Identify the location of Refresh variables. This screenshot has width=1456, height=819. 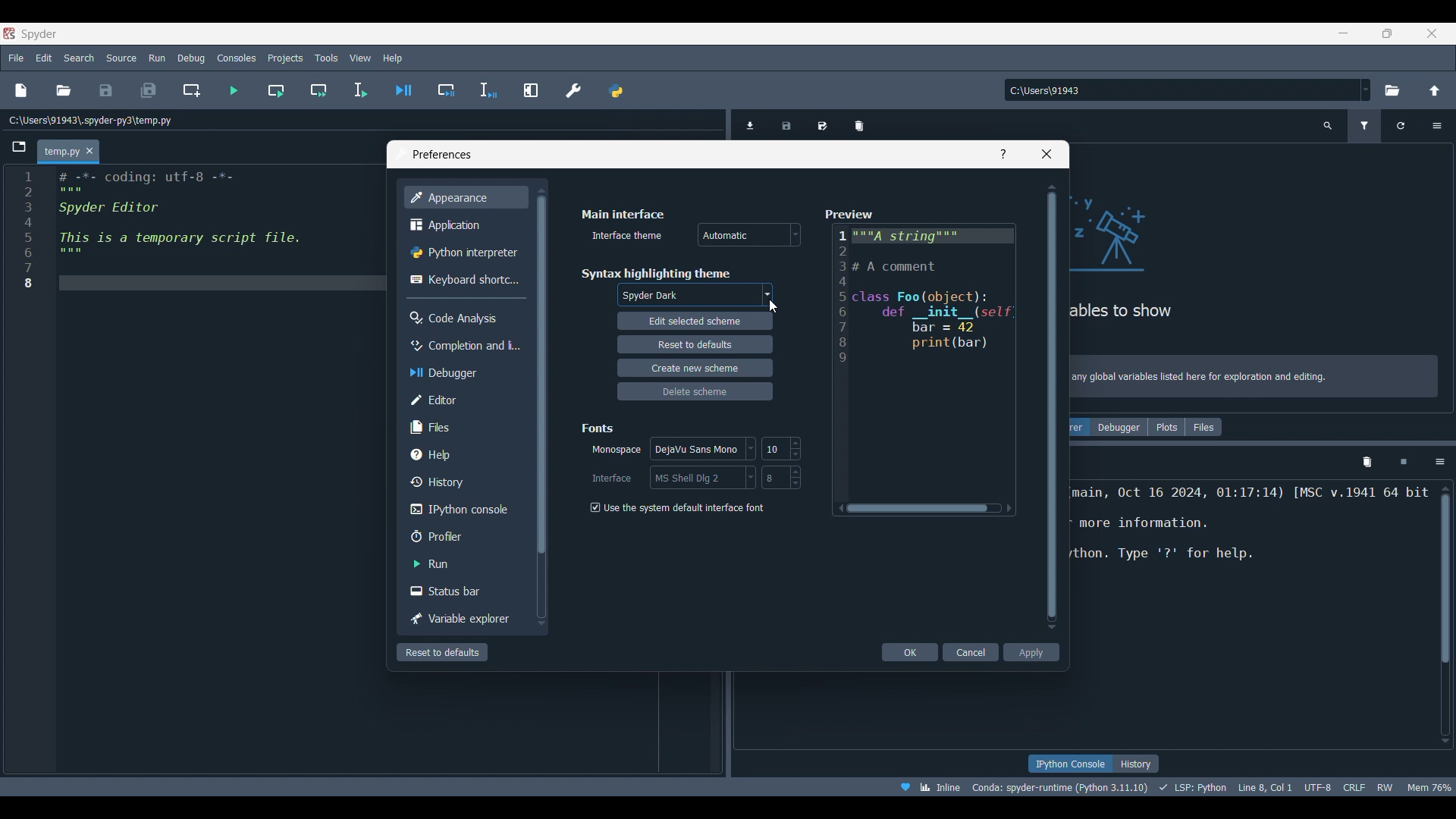
(1401, 126).